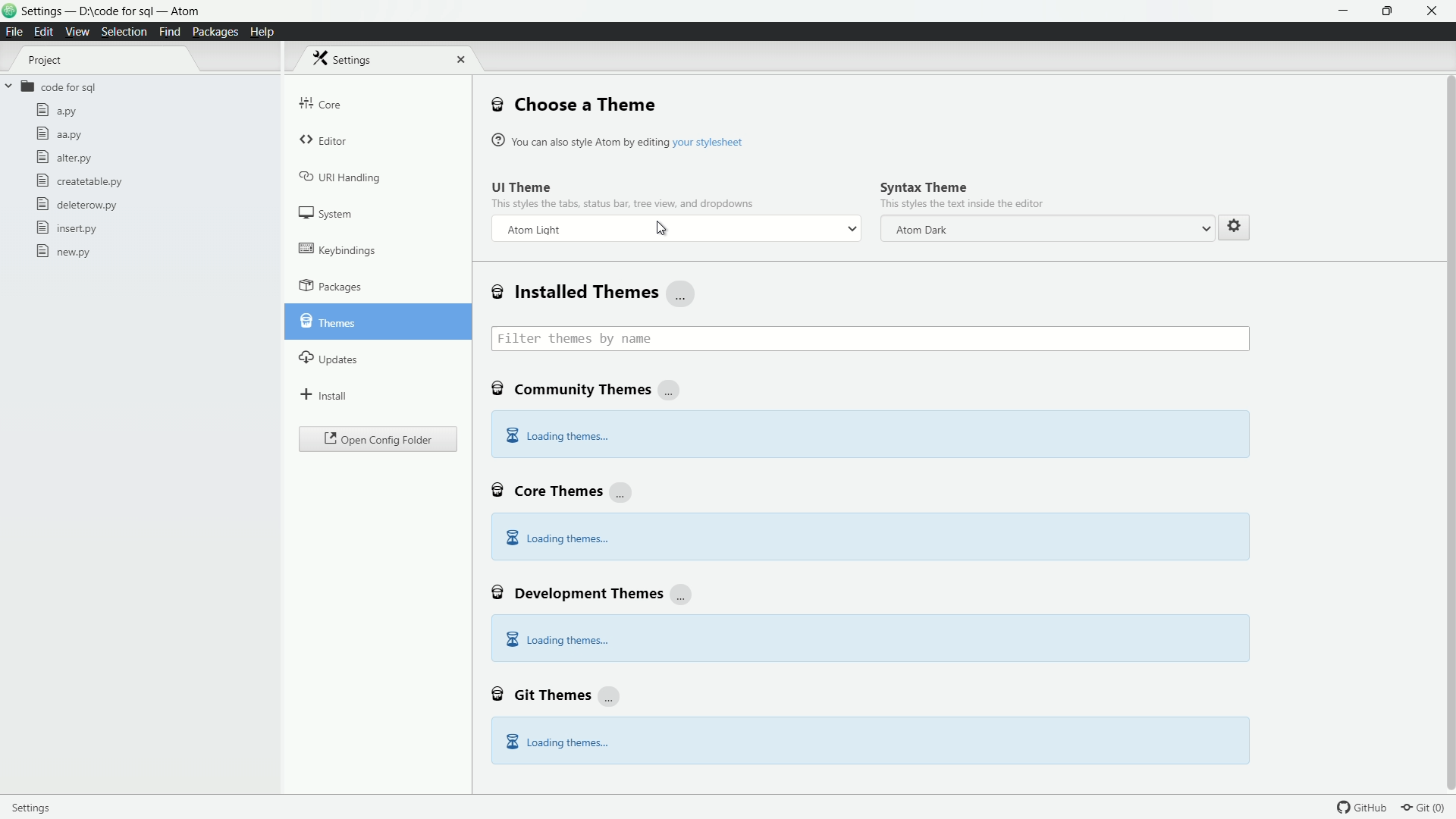 The image size is (1456, 819). What do you see at coordinates (557, 693) in the screenshot?
I see `git themes` at bounding box center [557, 693].